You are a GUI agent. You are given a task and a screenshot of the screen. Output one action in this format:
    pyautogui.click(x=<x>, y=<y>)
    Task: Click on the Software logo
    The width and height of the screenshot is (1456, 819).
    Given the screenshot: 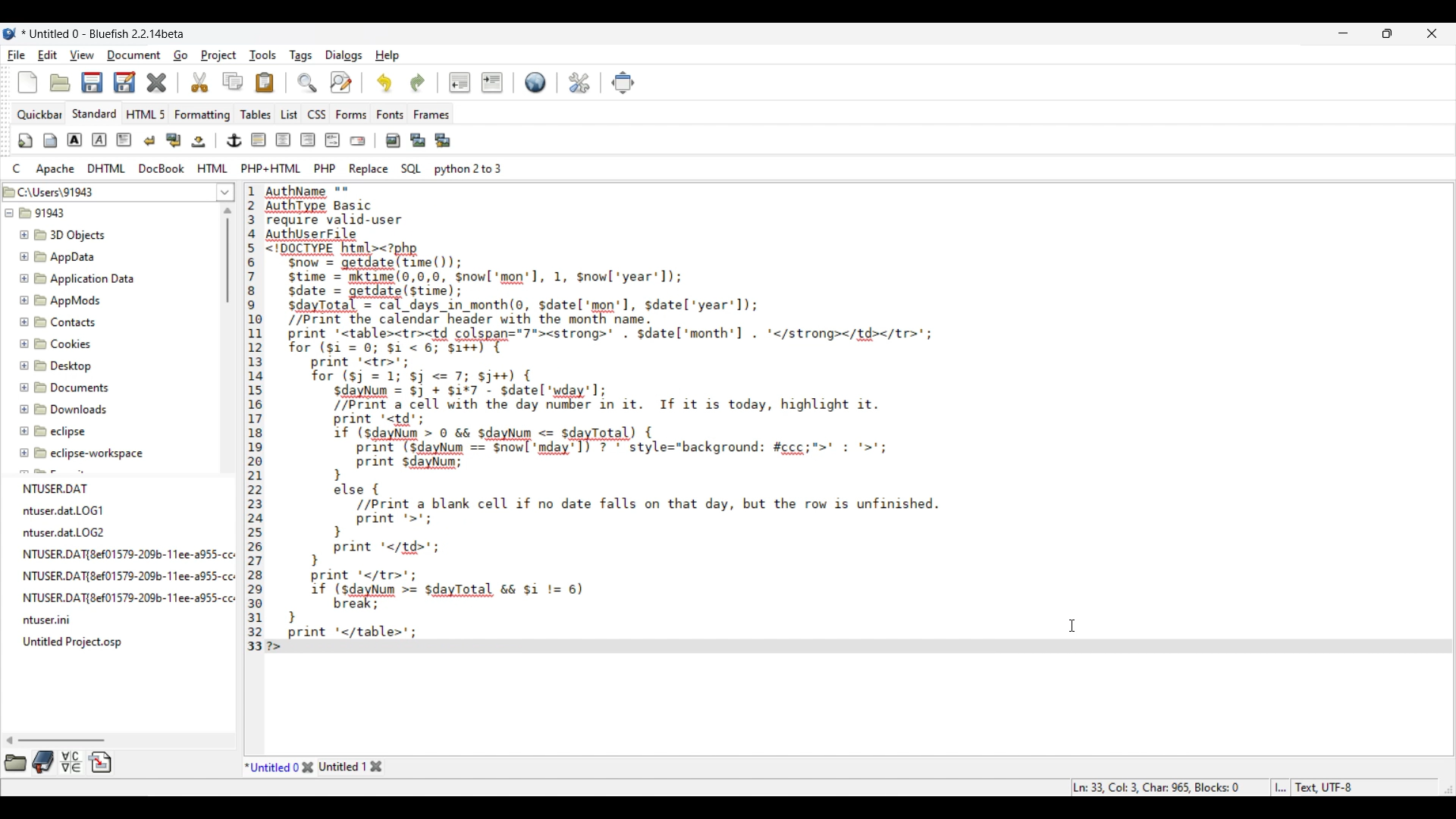 What is the action you would take?
    pyautogui.click(x=10, y=33)
    